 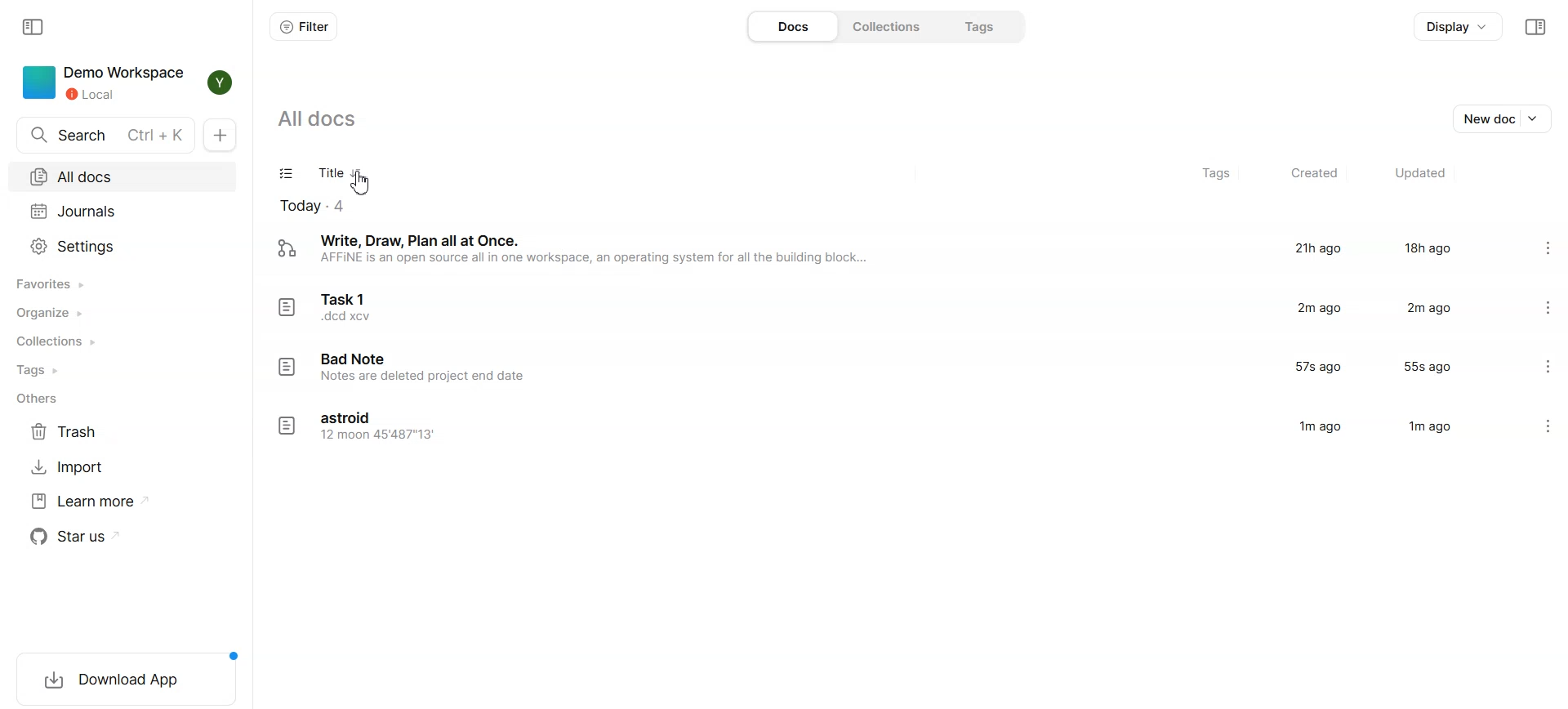 What do you see at coordinates (317, 117) in the screenshot?
I see `All docs` at bounding box center [317, 117].